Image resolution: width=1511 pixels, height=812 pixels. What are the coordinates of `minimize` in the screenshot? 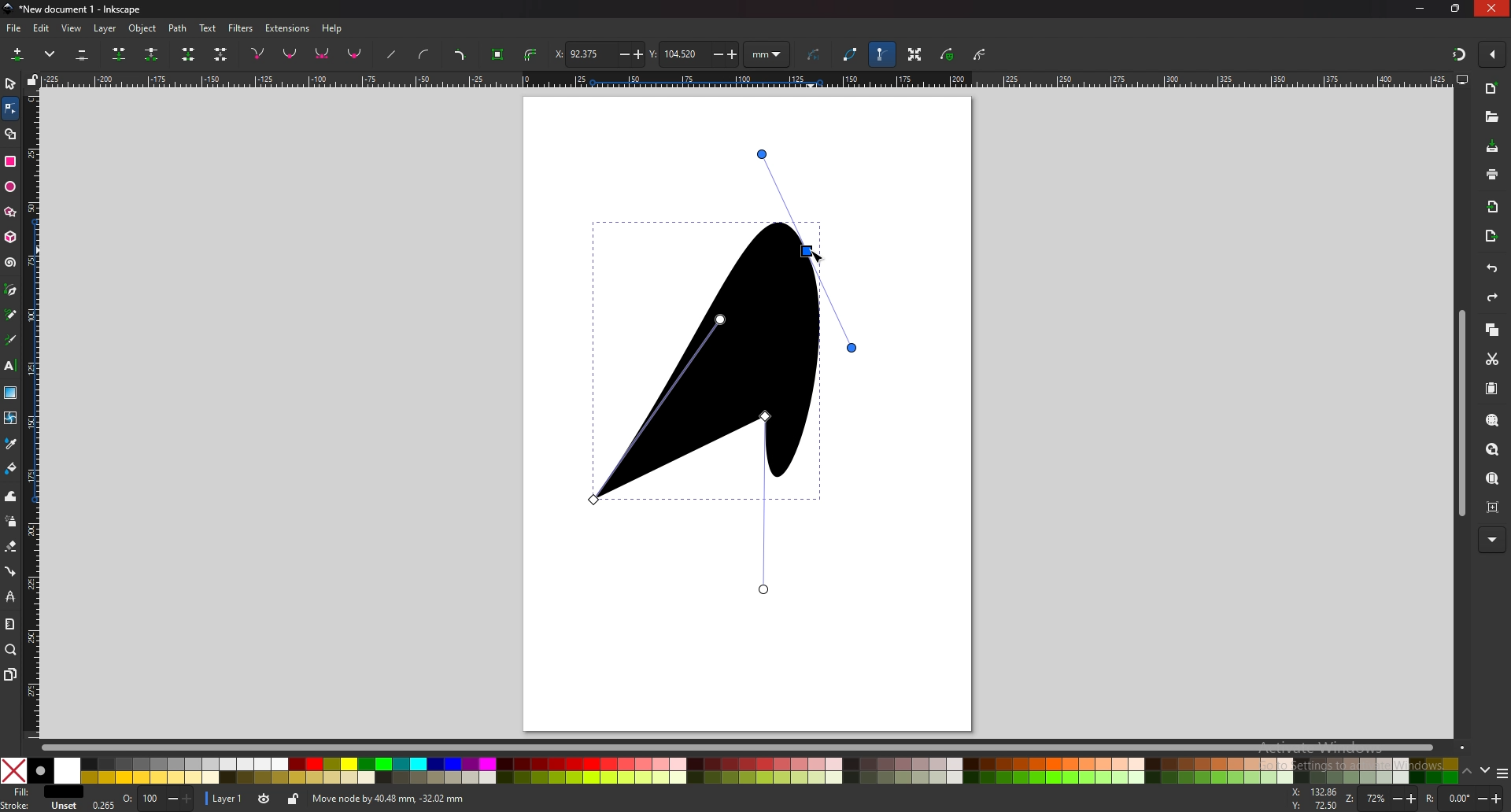 It's located at (1420, 9).